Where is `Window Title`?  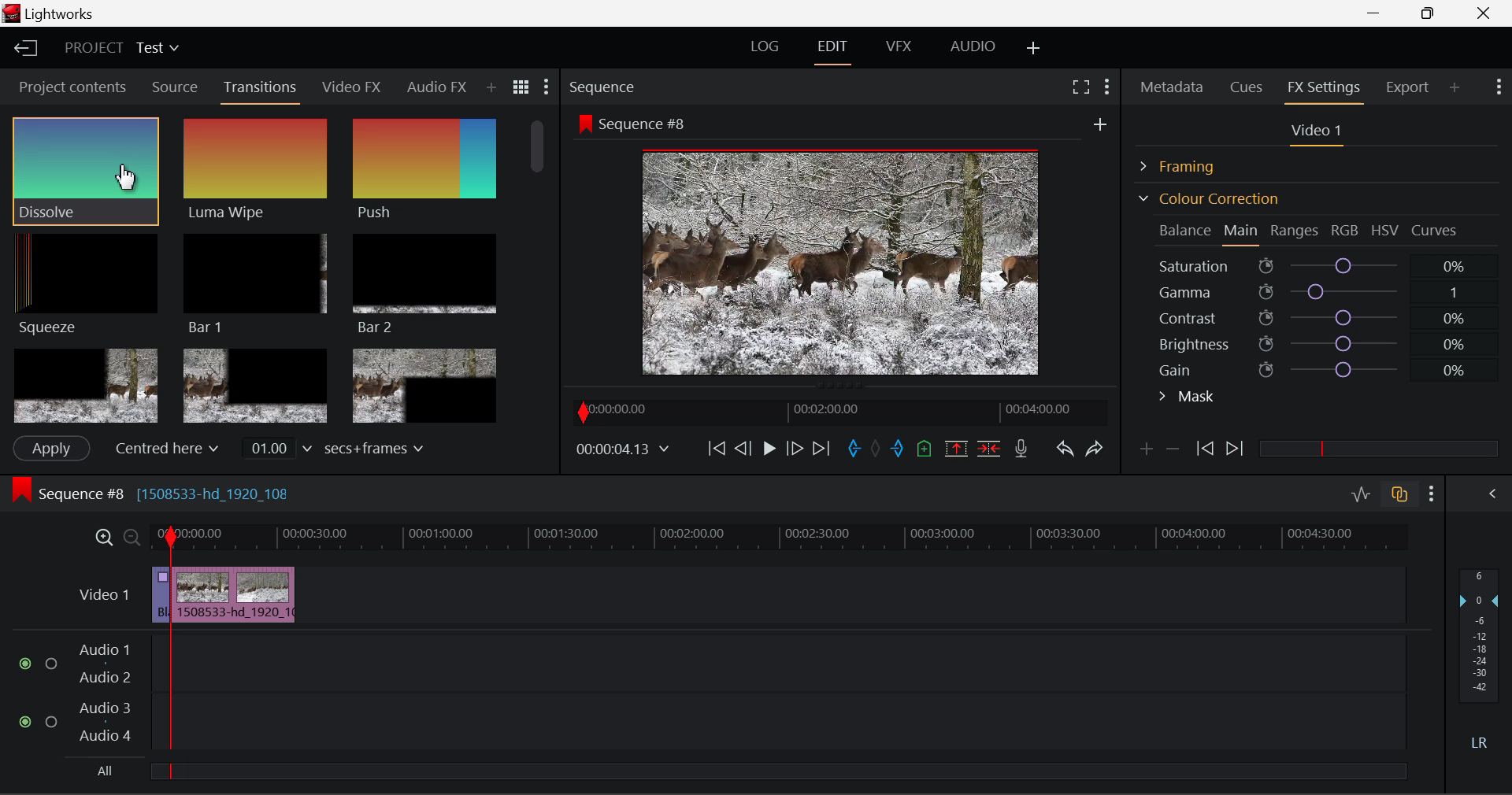
Window Title is located at coordinates (53, 15).